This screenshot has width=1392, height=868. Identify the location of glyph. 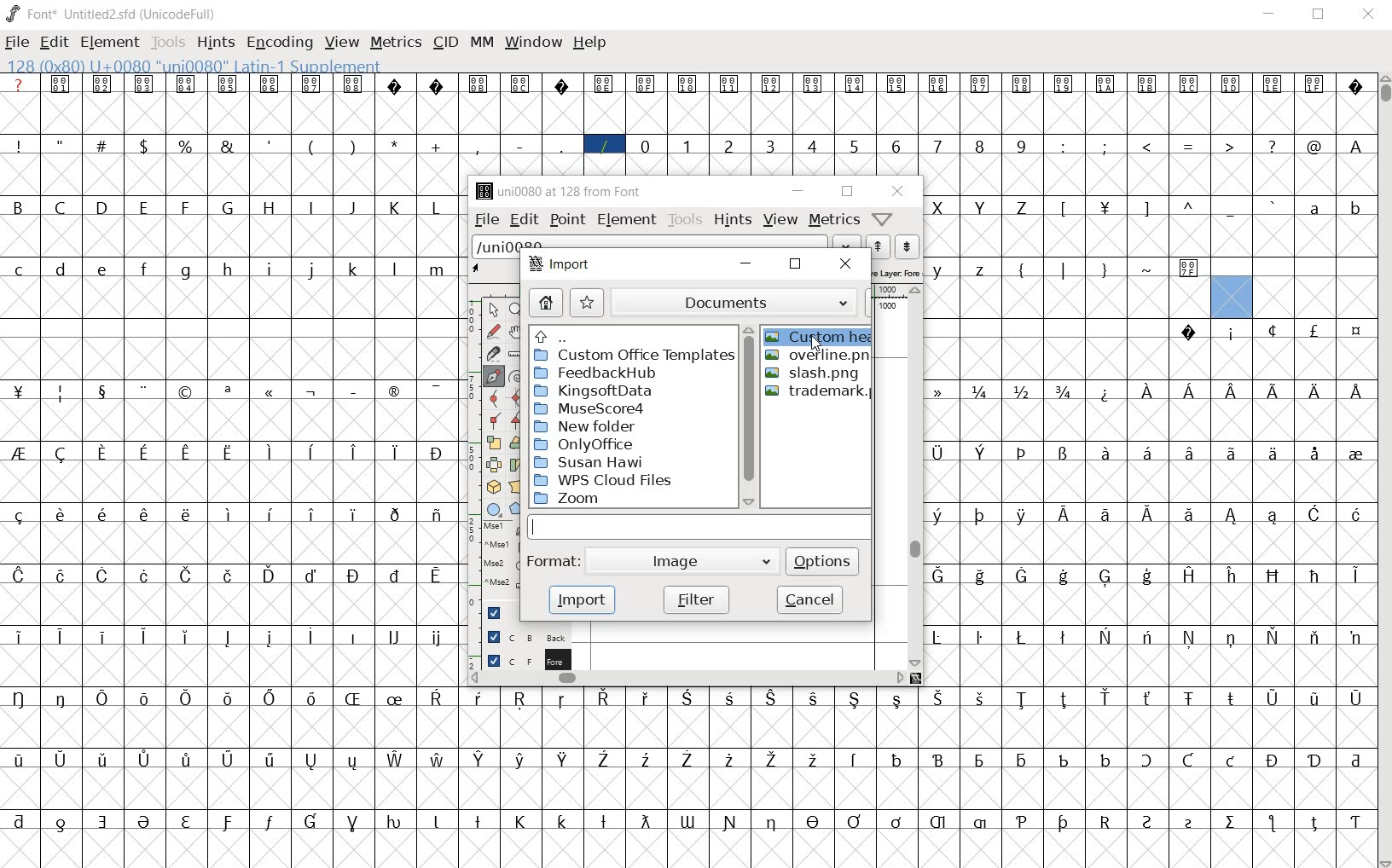
(435, 454).